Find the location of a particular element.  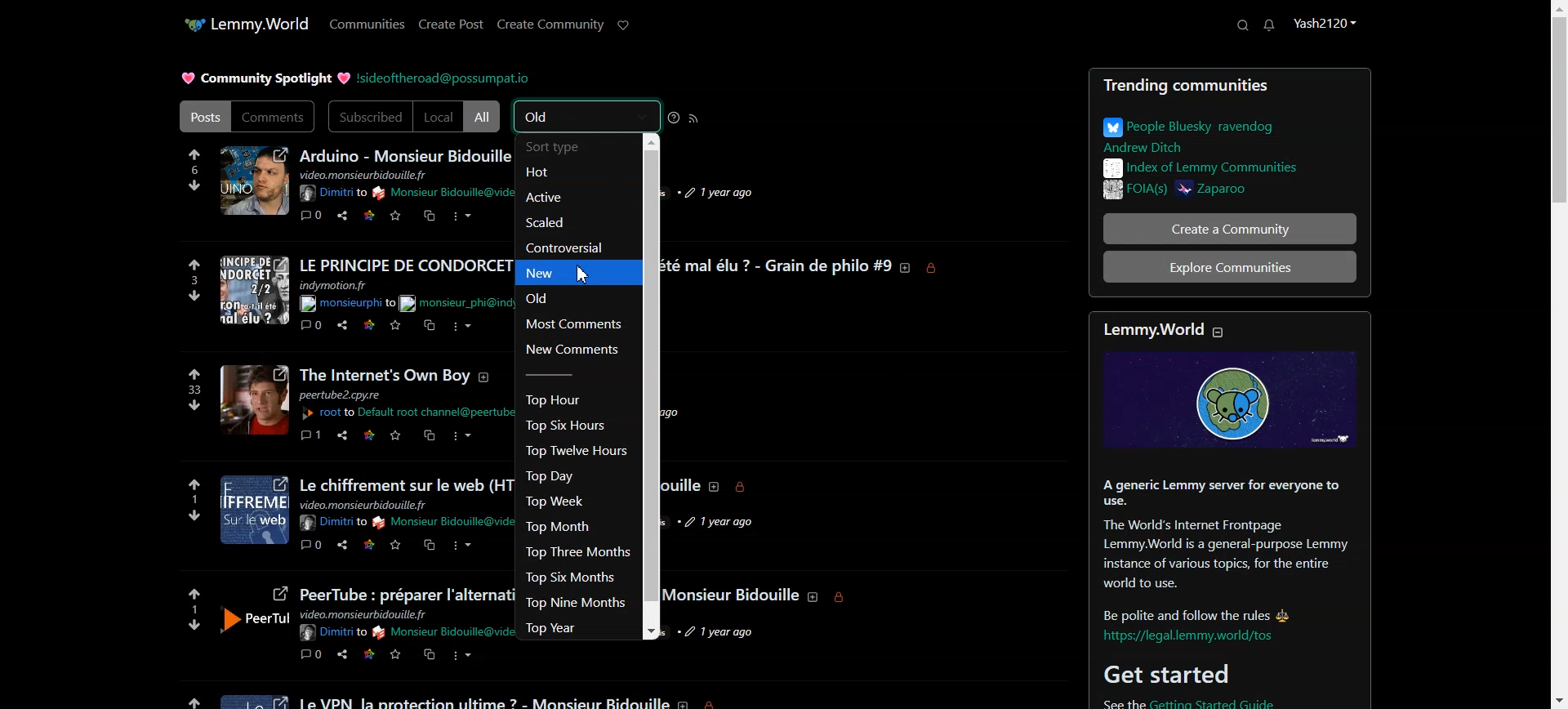

 is located at coordinates (310, 435).